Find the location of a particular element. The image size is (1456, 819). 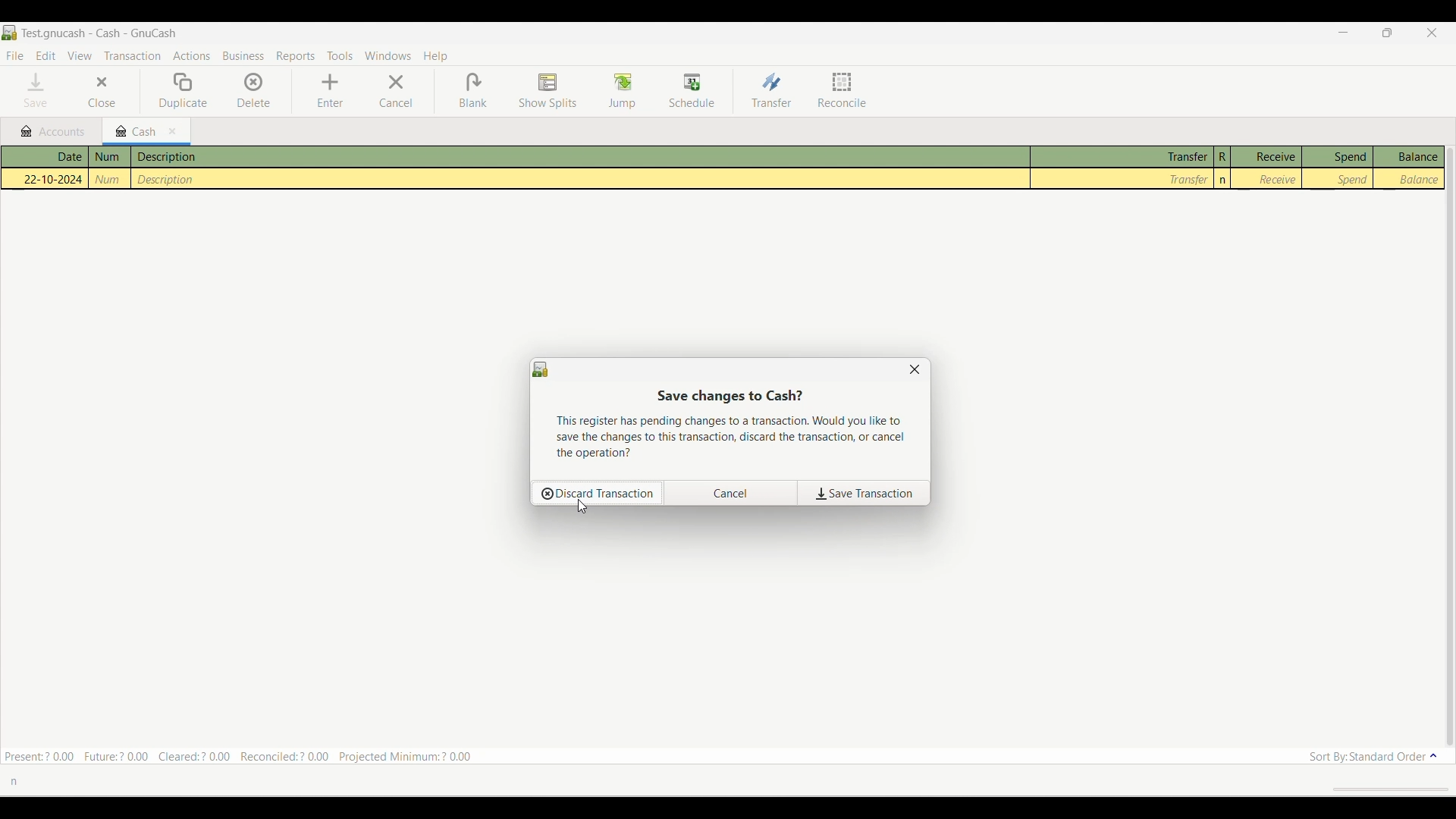

Reports is located at coordinates (295, 57).